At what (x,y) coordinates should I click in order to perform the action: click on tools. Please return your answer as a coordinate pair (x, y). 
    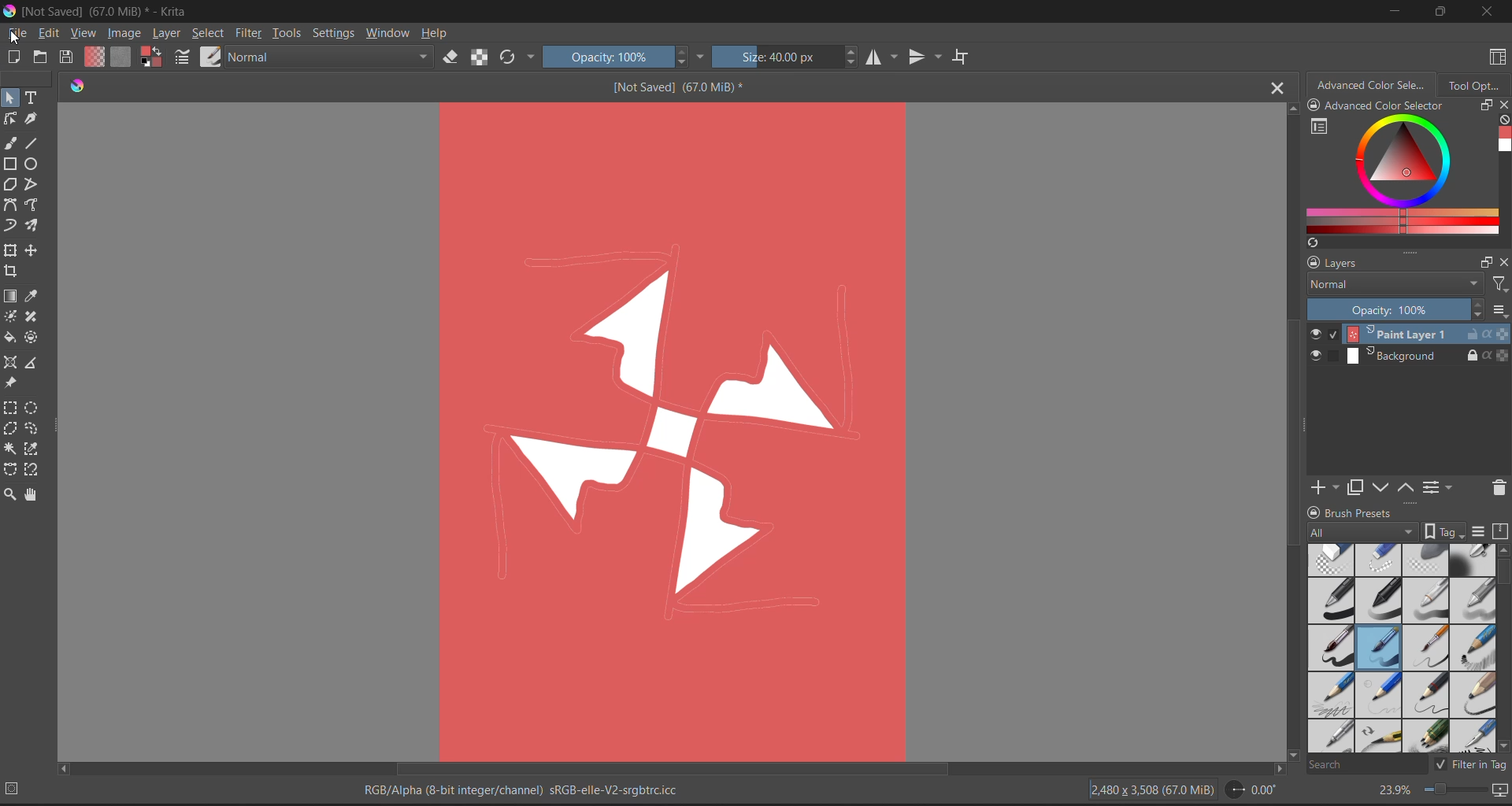
    Looking at the image, I should click on (33, 316).